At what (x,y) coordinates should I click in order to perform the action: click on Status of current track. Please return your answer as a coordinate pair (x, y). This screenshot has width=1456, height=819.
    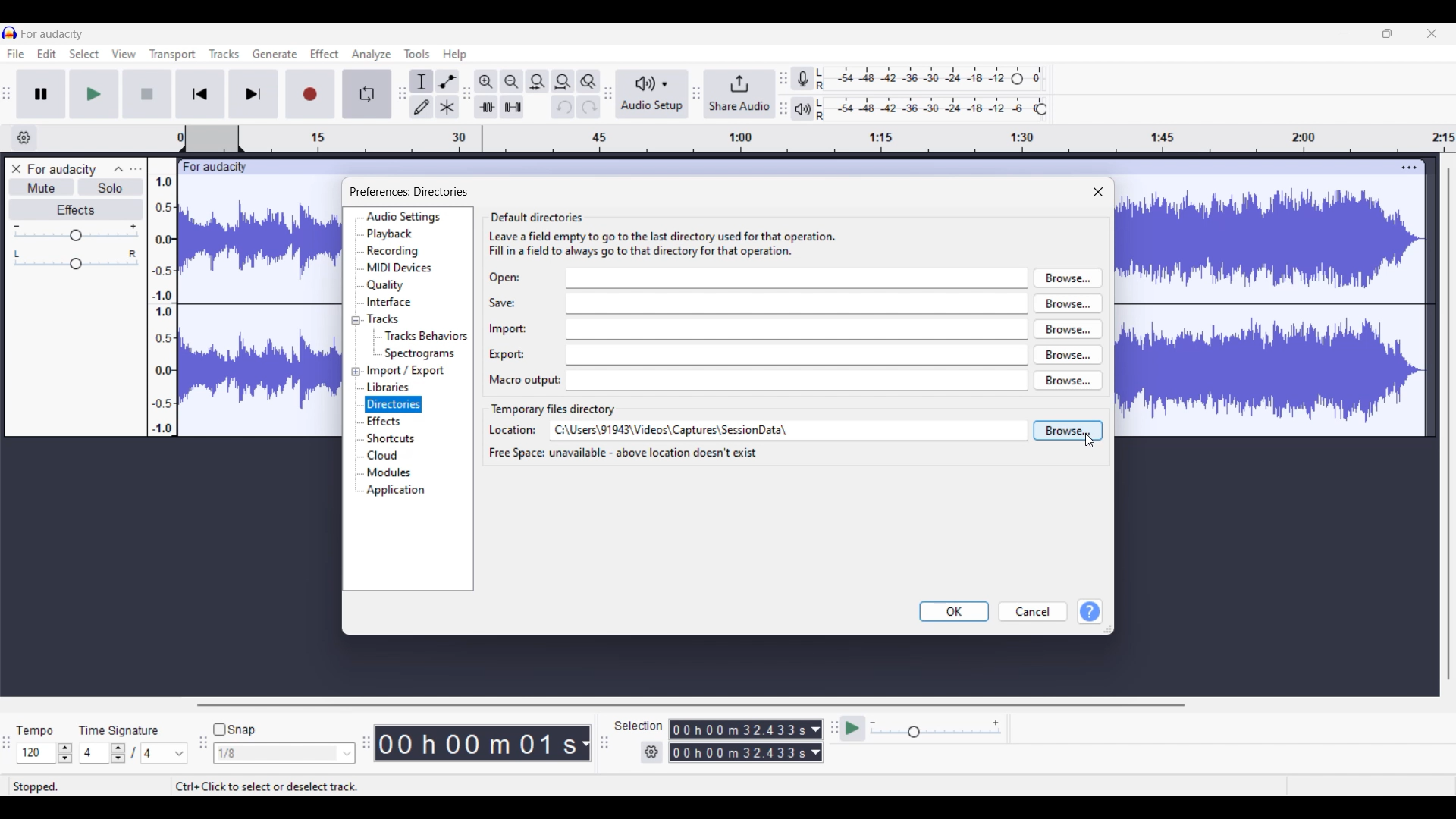
    Looking at the image, I should click on (38, 786).